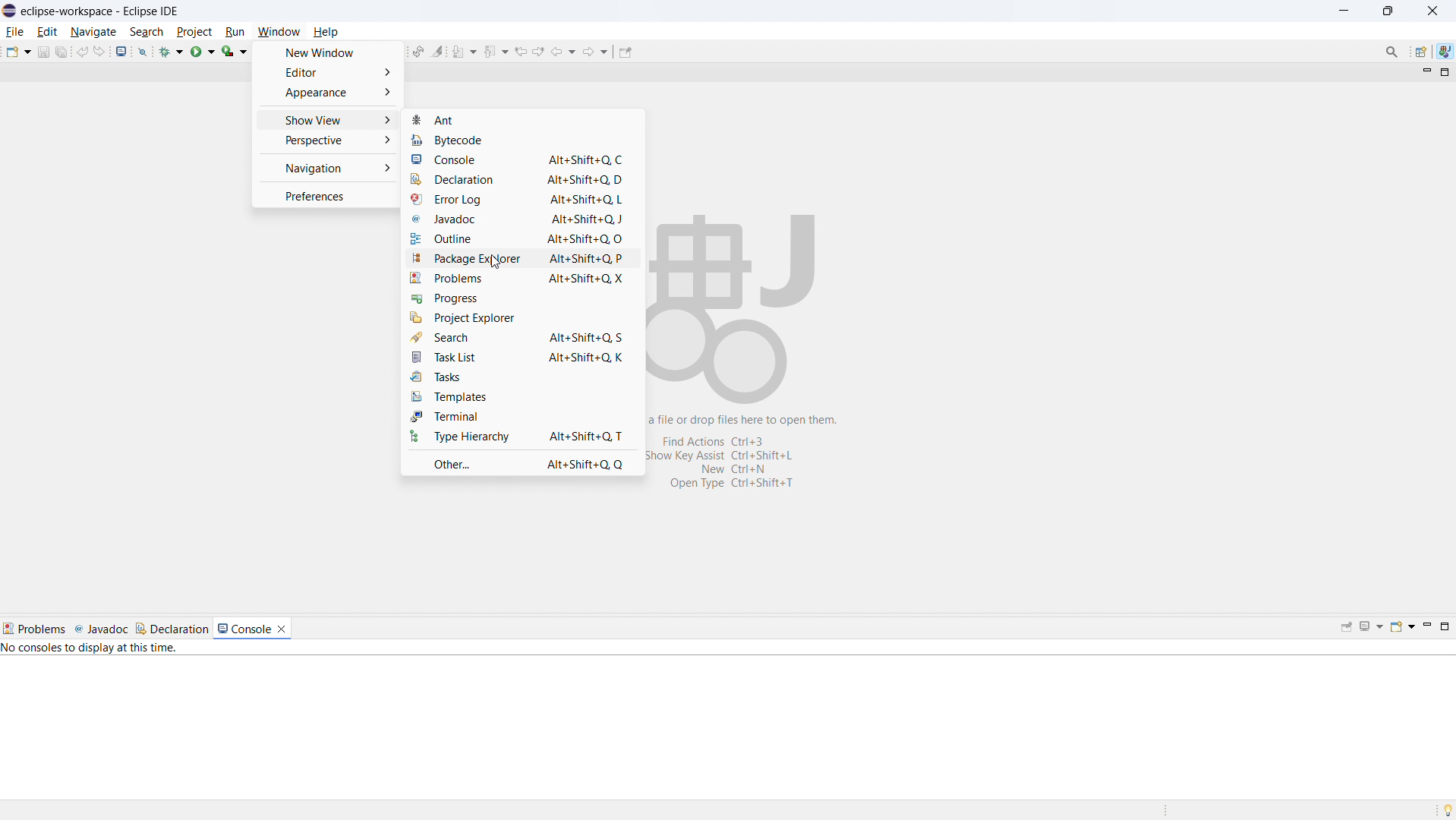 The height and width of the screenshot is (820, 1456). I want to click on problems, so click(521, 278).